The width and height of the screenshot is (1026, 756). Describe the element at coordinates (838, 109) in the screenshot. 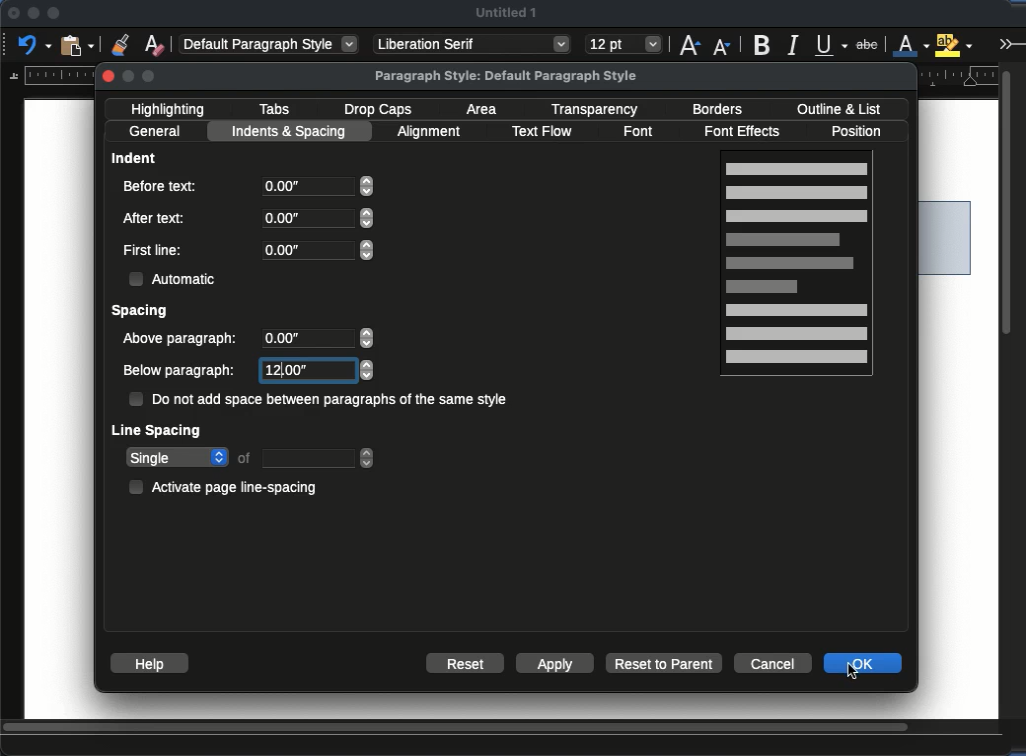

I see `outline` at that location.